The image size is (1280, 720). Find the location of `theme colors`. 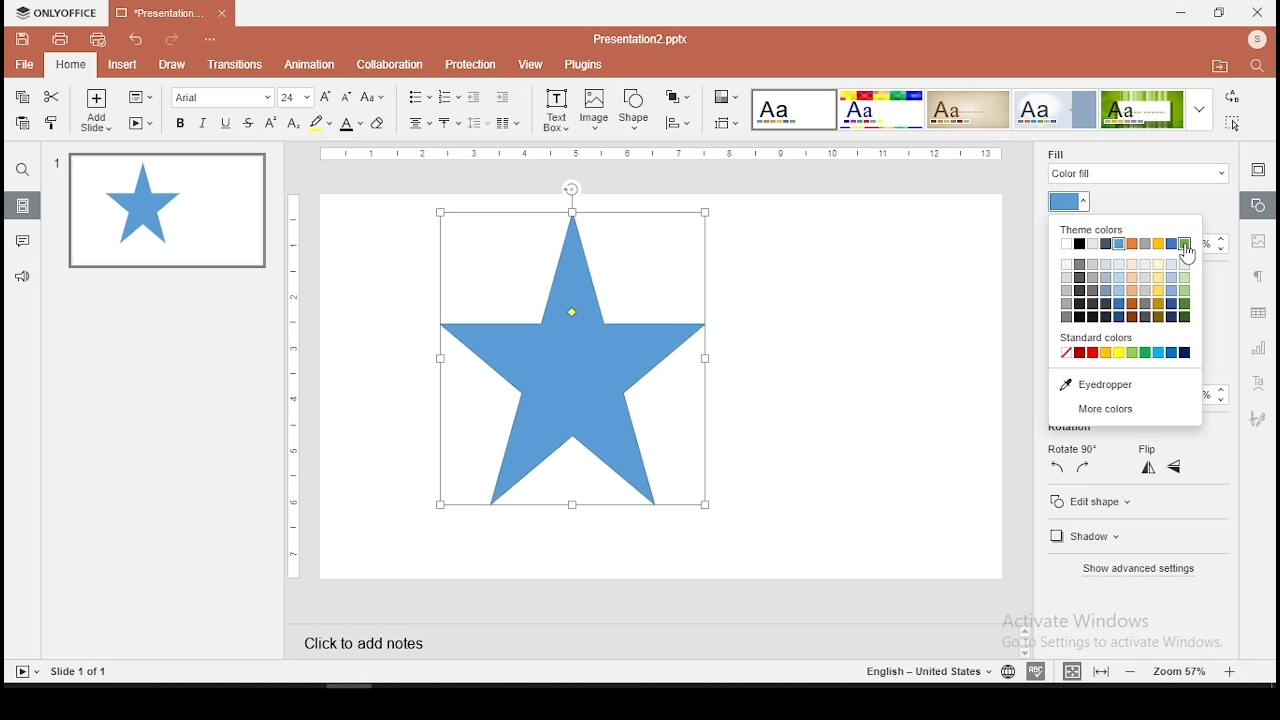

theme colors is located at coordinates (1129, 245).